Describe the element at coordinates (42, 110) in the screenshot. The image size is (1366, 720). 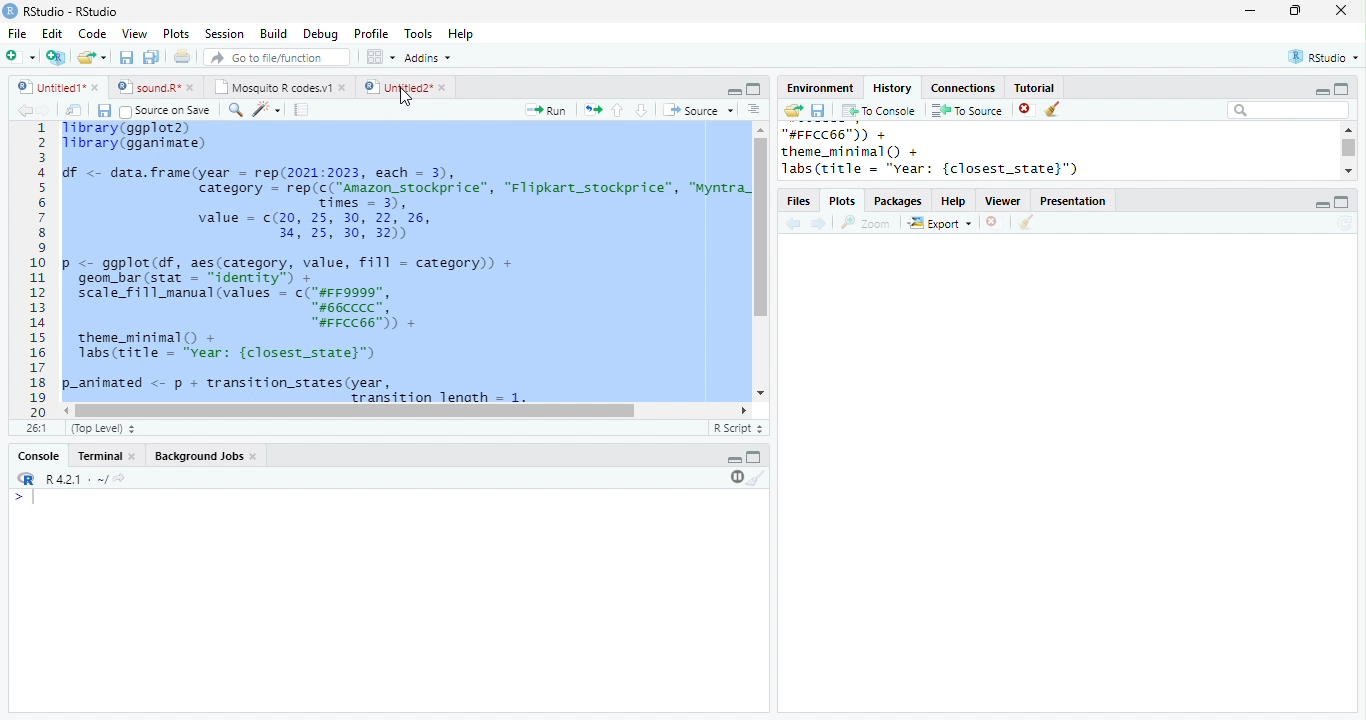
I see `forward` at that location.